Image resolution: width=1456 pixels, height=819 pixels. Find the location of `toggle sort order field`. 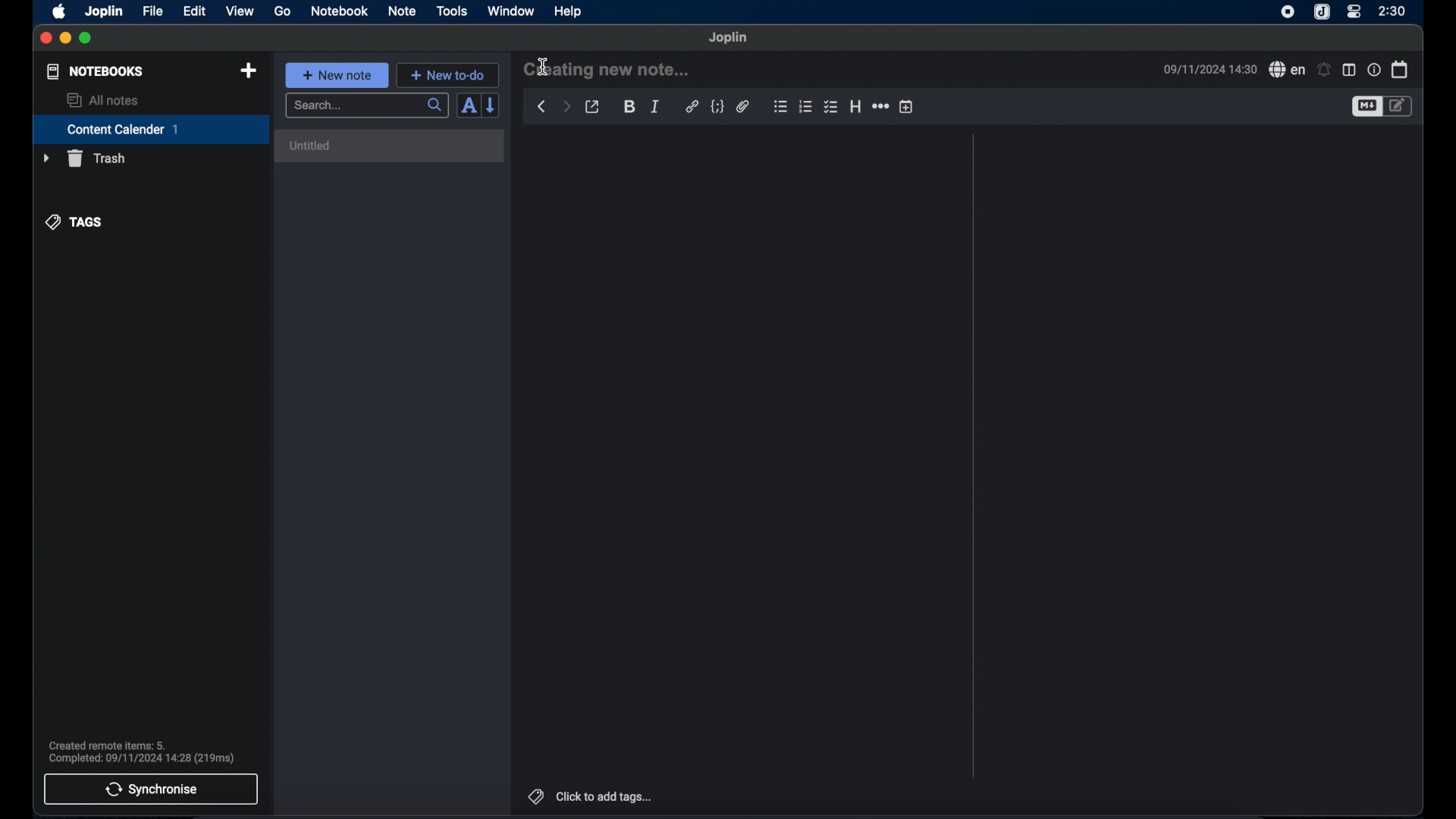

toggle sort order field is located at coordinates (468, 106).